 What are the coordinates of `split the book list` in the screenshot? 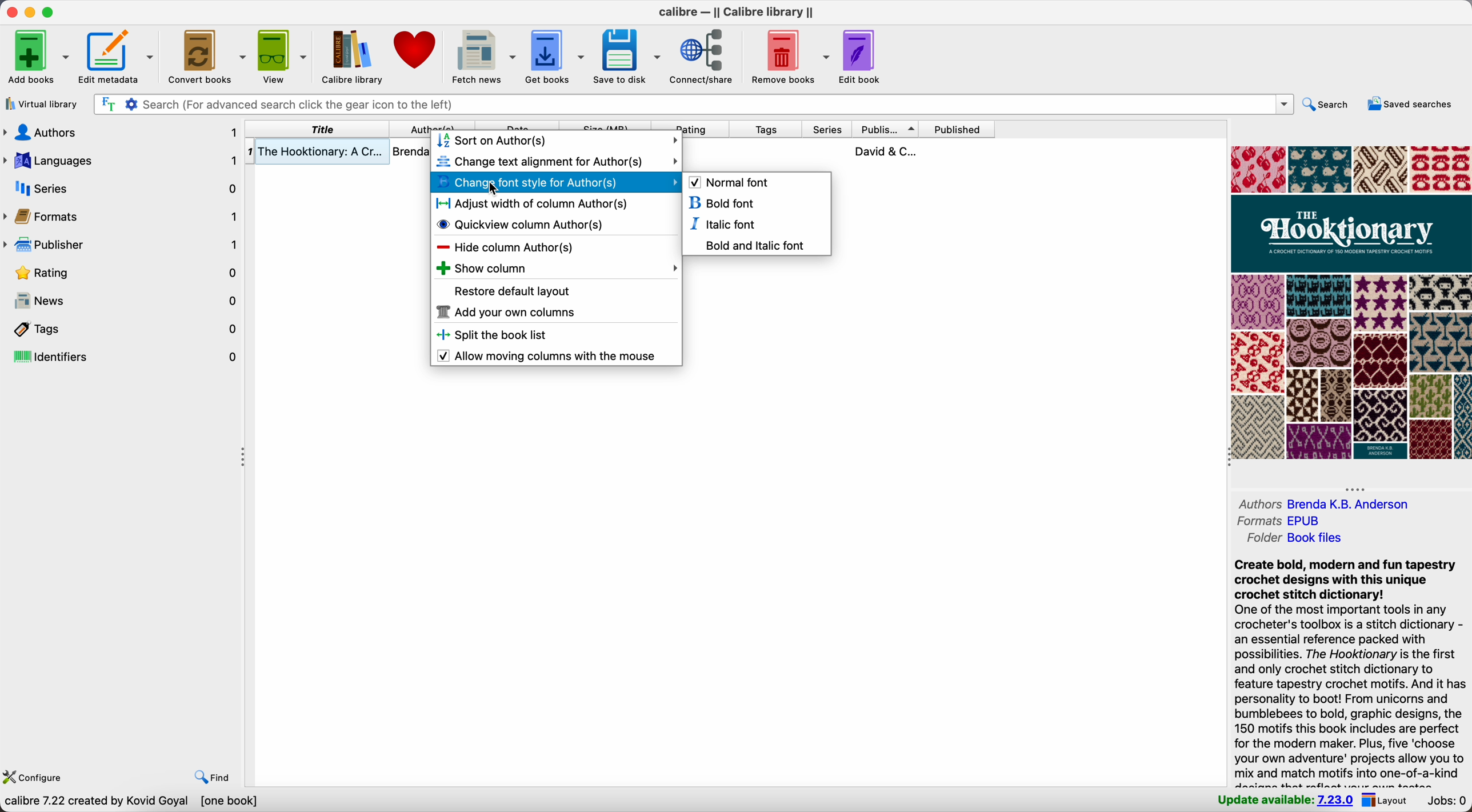 It's located at (499, 335).